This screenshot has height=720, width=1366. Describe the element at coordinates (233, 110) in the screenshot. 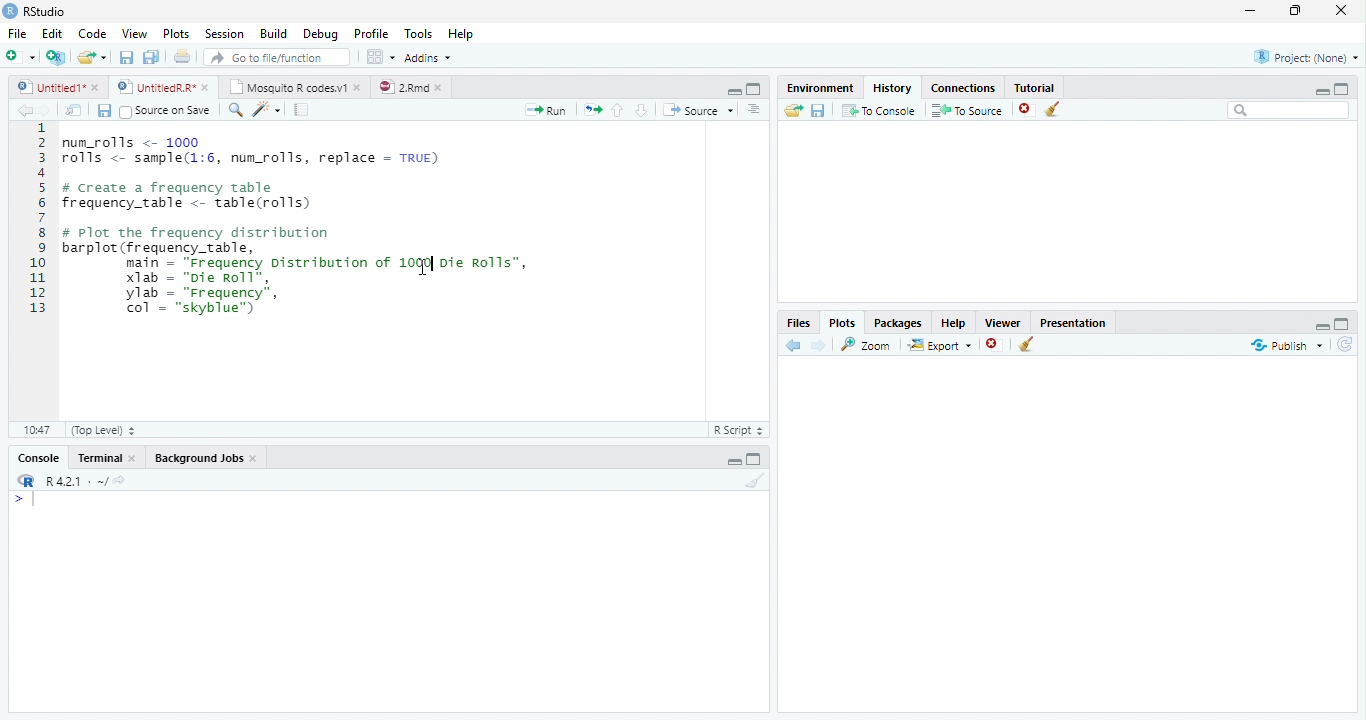

I see `Find/Replace` at that location.